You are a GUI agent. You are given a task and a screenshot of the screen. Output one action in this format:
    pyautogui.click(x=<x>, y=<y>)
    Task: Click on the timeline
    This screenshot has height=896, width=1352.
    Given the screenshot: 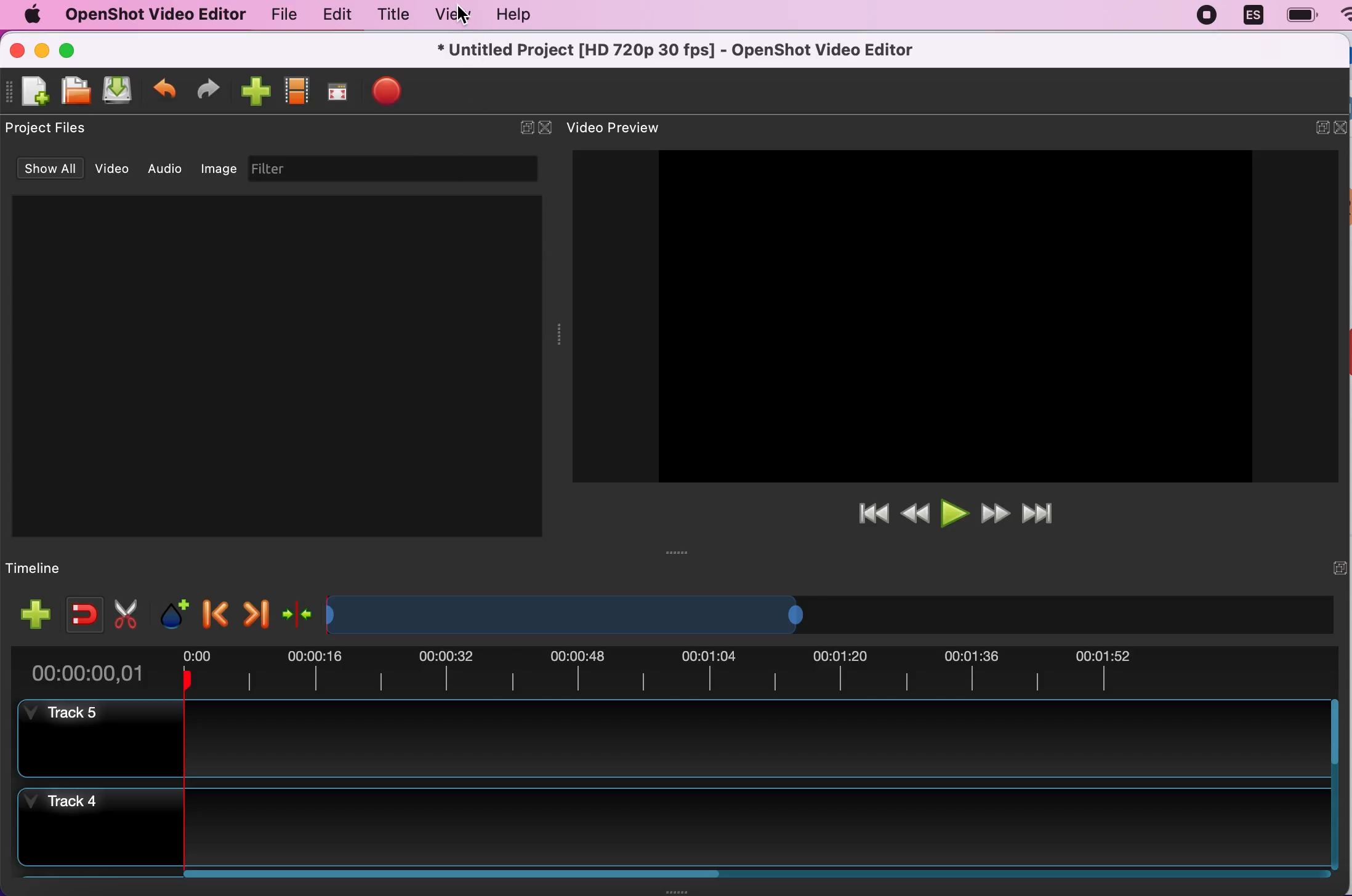 What is the action you would take?
    pyautogui.click(x=40, y=569)
    